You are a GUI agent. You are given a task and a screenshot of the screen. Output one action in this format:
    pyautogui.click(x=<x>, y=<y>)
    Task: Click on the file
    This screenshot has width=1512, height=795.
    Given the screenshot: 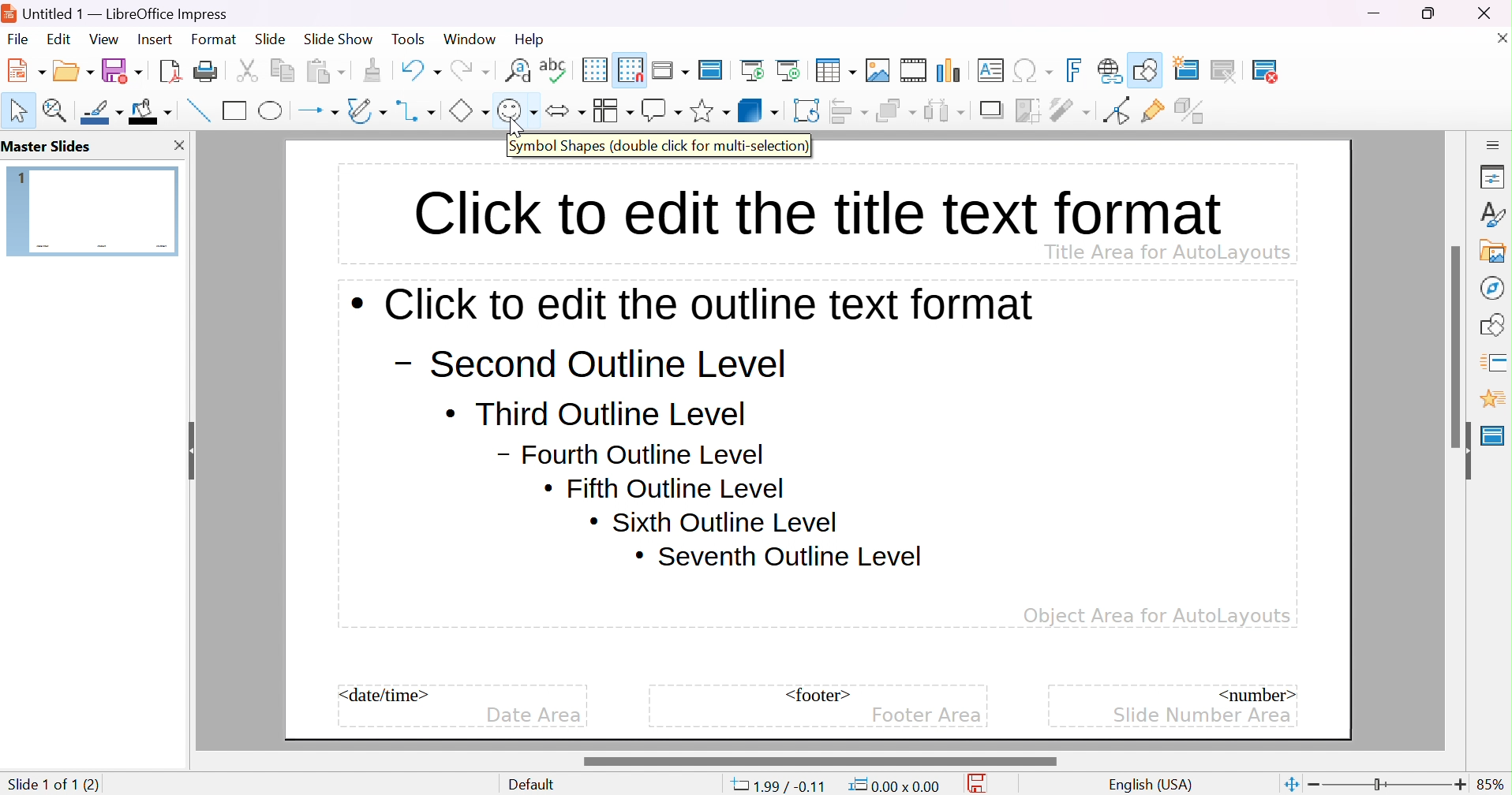 What is the action you would take?
    pyautogui.click(x=18, y=39)
    